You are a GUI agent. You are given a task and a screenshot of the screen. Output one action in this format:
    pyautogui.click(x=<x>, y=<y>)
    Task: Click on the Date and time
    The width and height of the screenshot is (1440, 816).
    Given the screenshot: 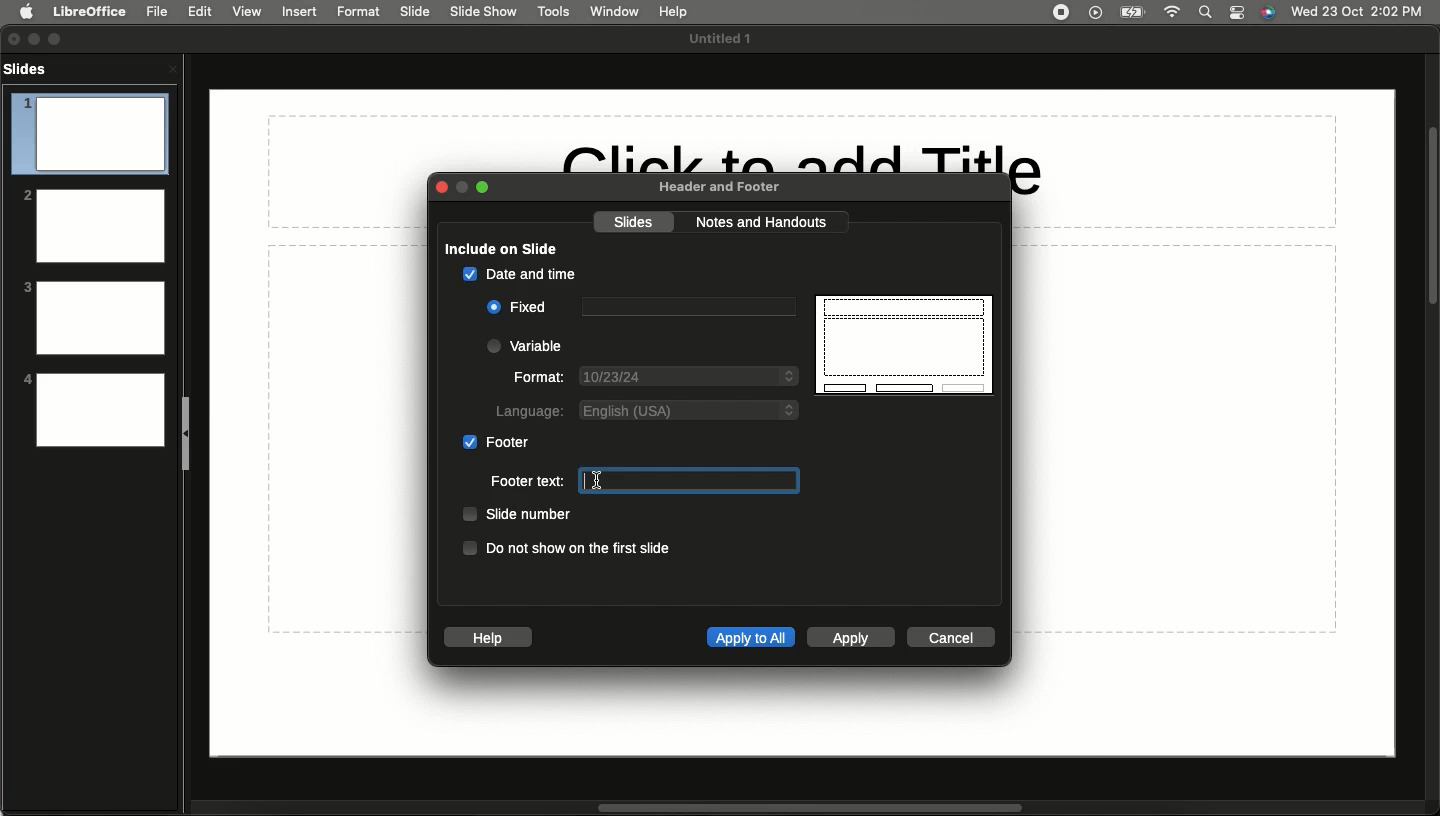 What is the action you would take?
    pyautogui.click(x=518, y=274)
    